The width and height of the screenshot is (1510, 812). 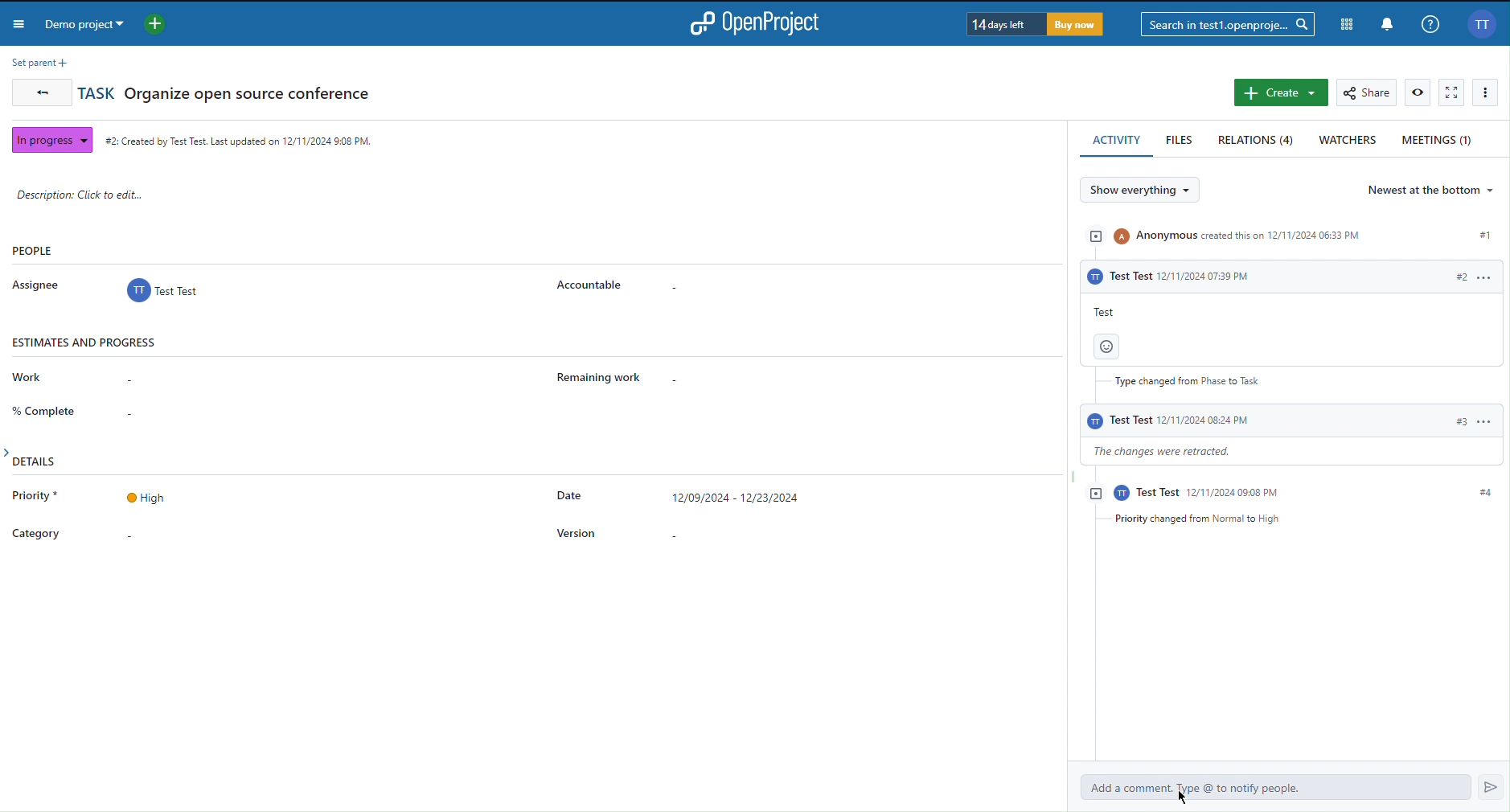 What do you see at coordinates (1280, 93) in the screenshot?
I see `Create` at bounding box center [1280, 93].